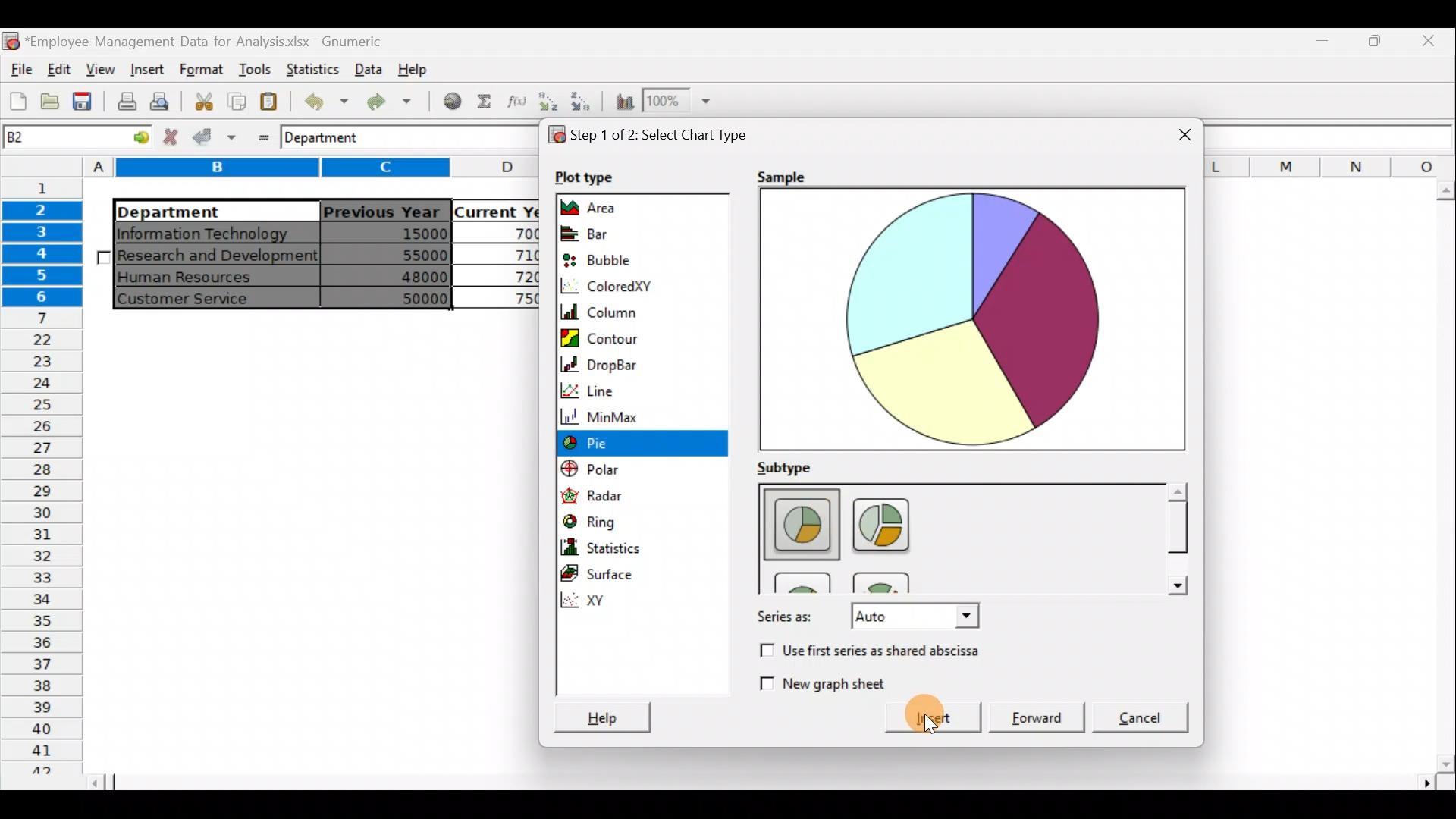 This screenshot has width=1456, height=819. What do you see at coordinates (795, 466) in the screenshot?
I see `Sub type` at bounding box center [795, 466].